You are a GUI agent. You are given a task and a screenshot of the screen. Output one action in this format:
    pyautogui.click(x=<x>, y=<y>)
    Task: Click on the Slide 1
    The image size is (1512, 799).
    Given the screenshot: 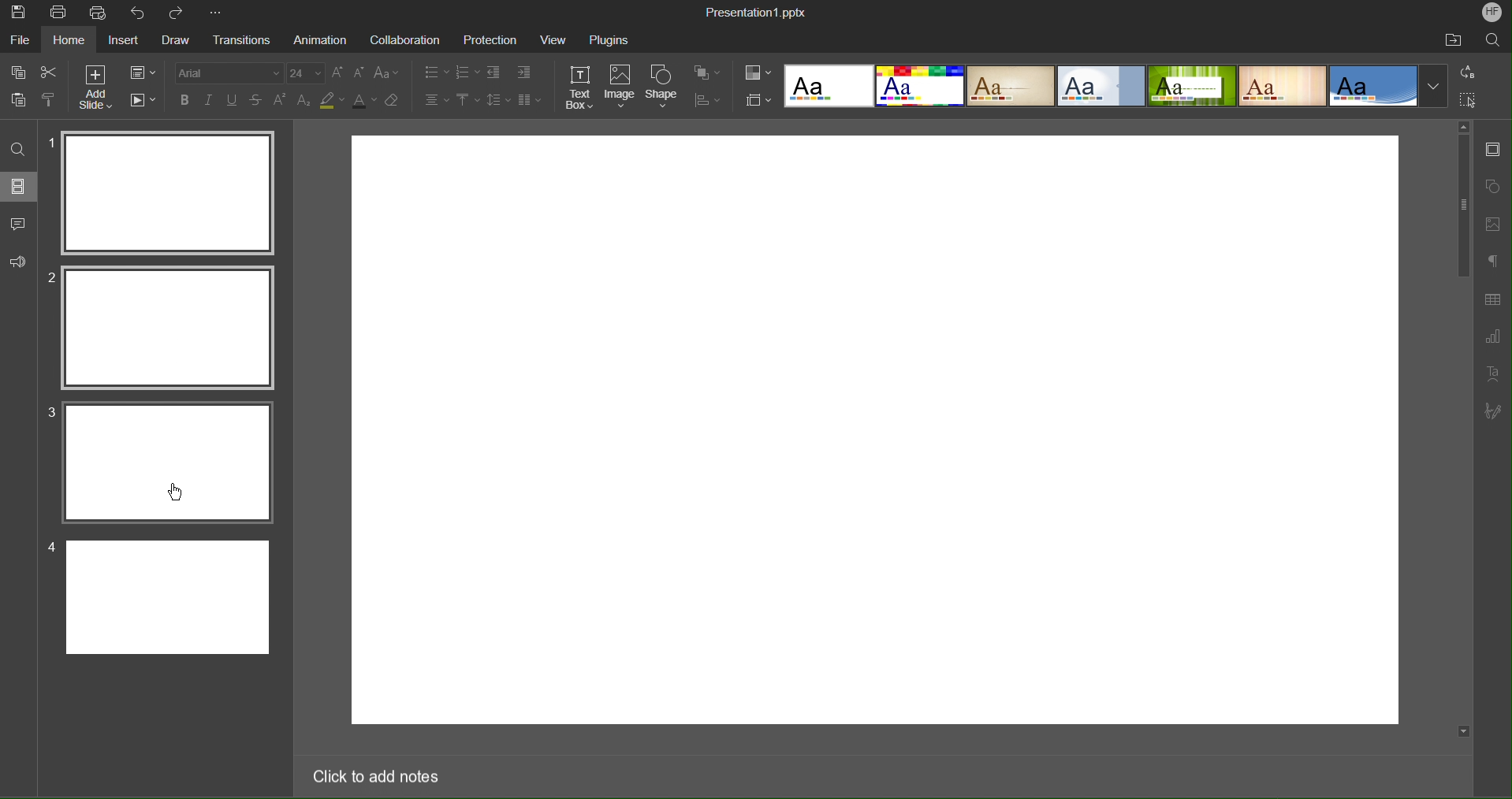 What is the action you would take?
    pyautogui.click(x=169, y=190)
    